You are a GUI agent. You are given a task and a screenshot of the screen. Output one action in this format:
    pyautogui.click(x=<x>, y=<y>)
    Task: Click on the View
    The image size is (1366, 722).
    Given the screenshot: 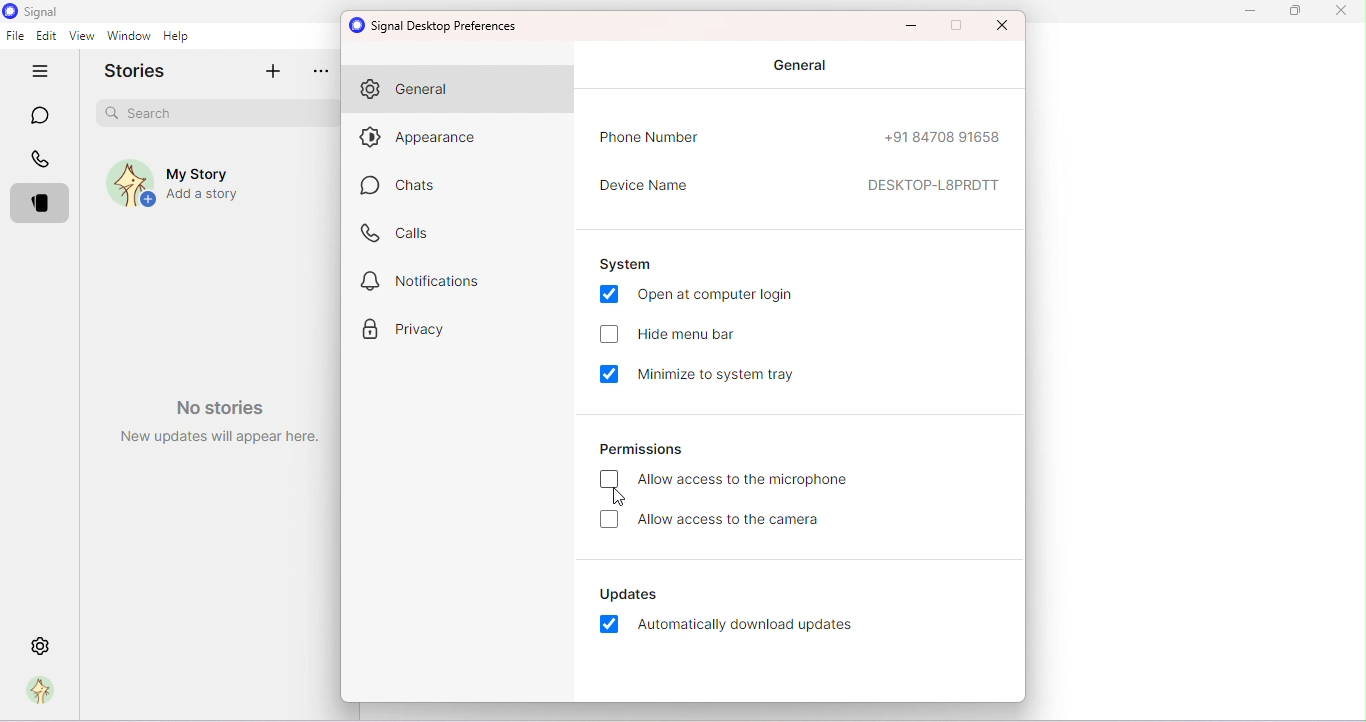 What is the action you would take?
    pyautogui.click(x=83, y=38)
    